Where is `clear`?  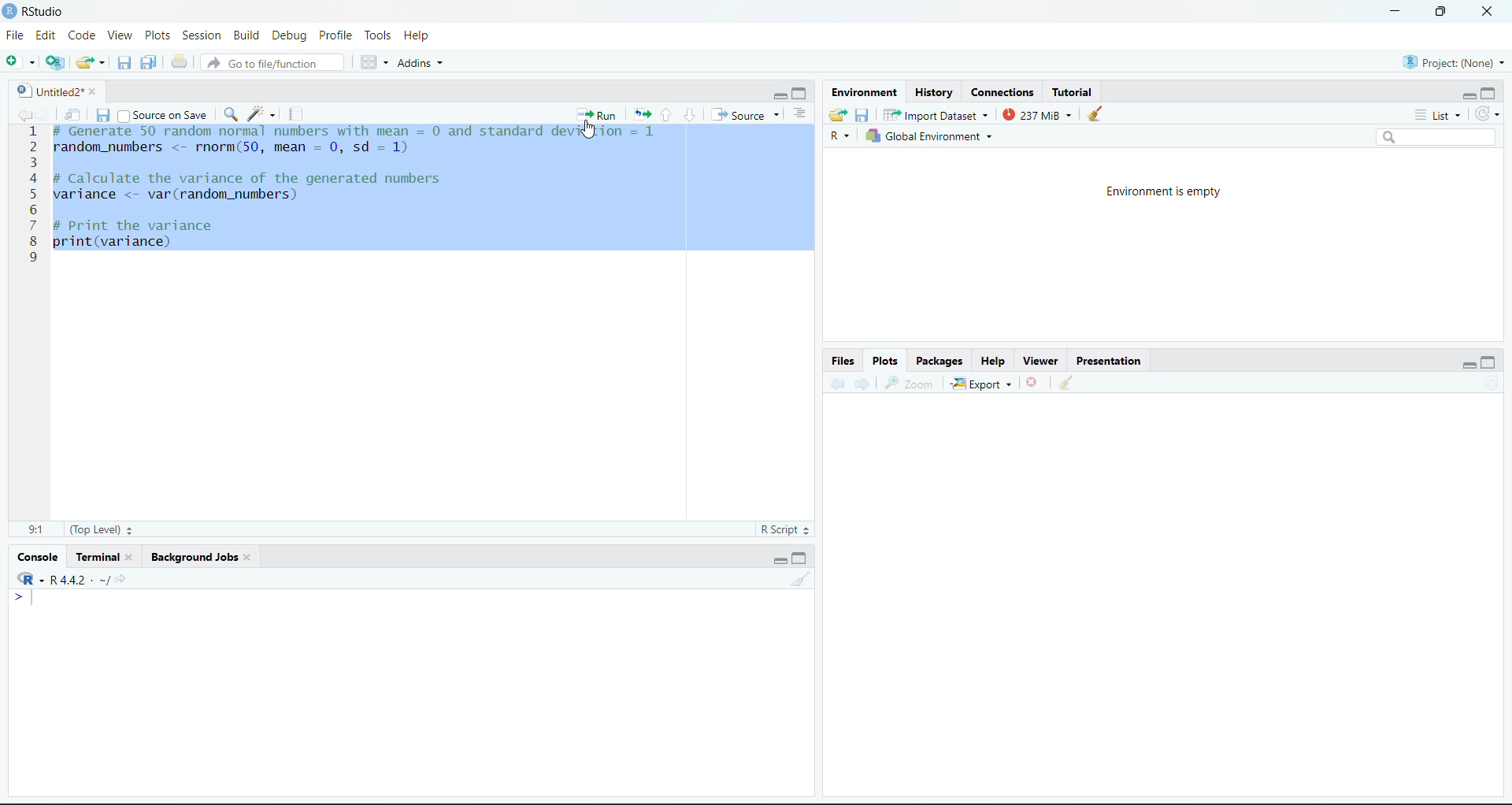 clear is located at coordinates (1066, 381).